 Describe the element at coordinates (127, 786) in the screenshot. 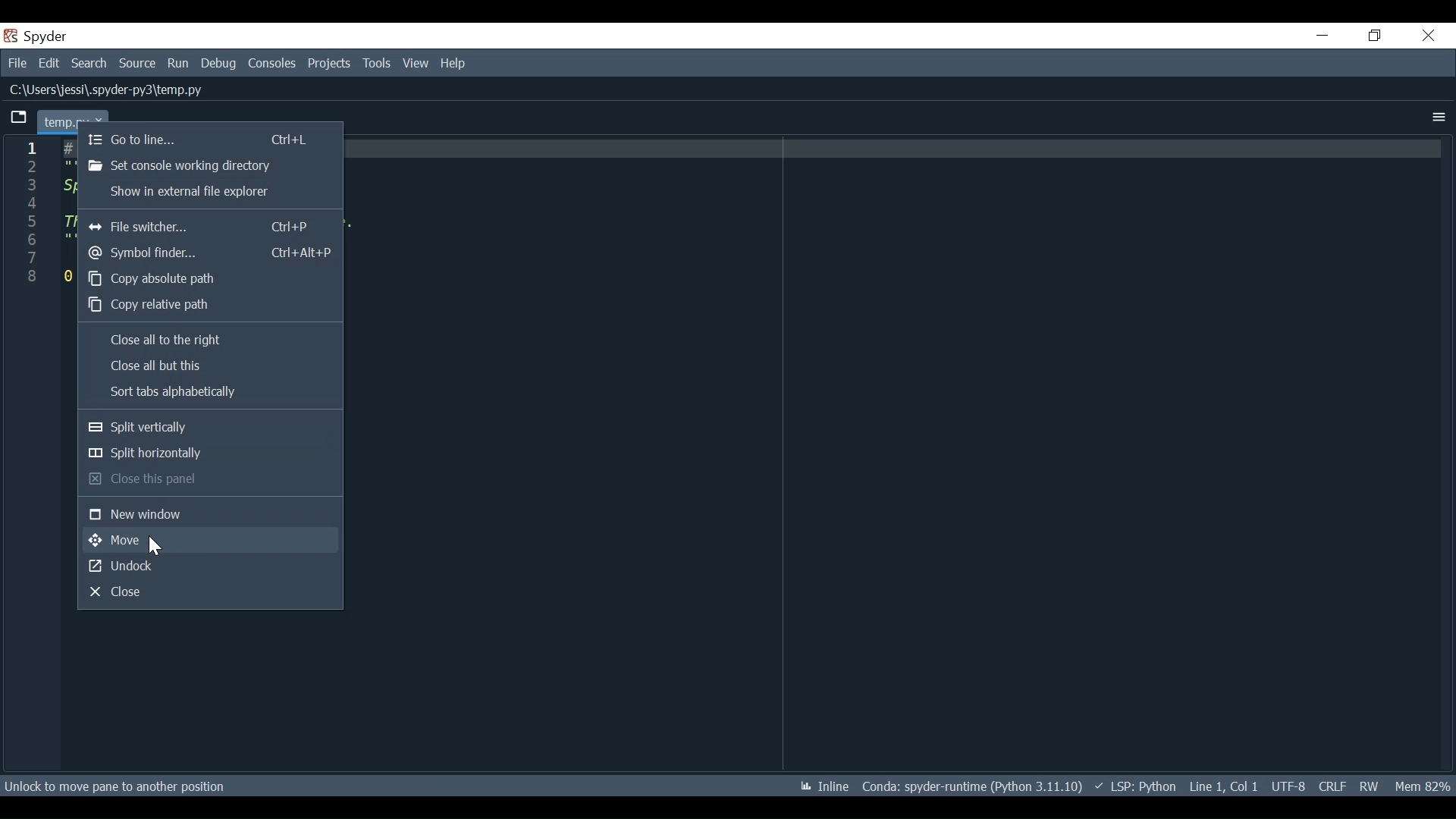

I see `Unlock to move pane to another position` at that location.